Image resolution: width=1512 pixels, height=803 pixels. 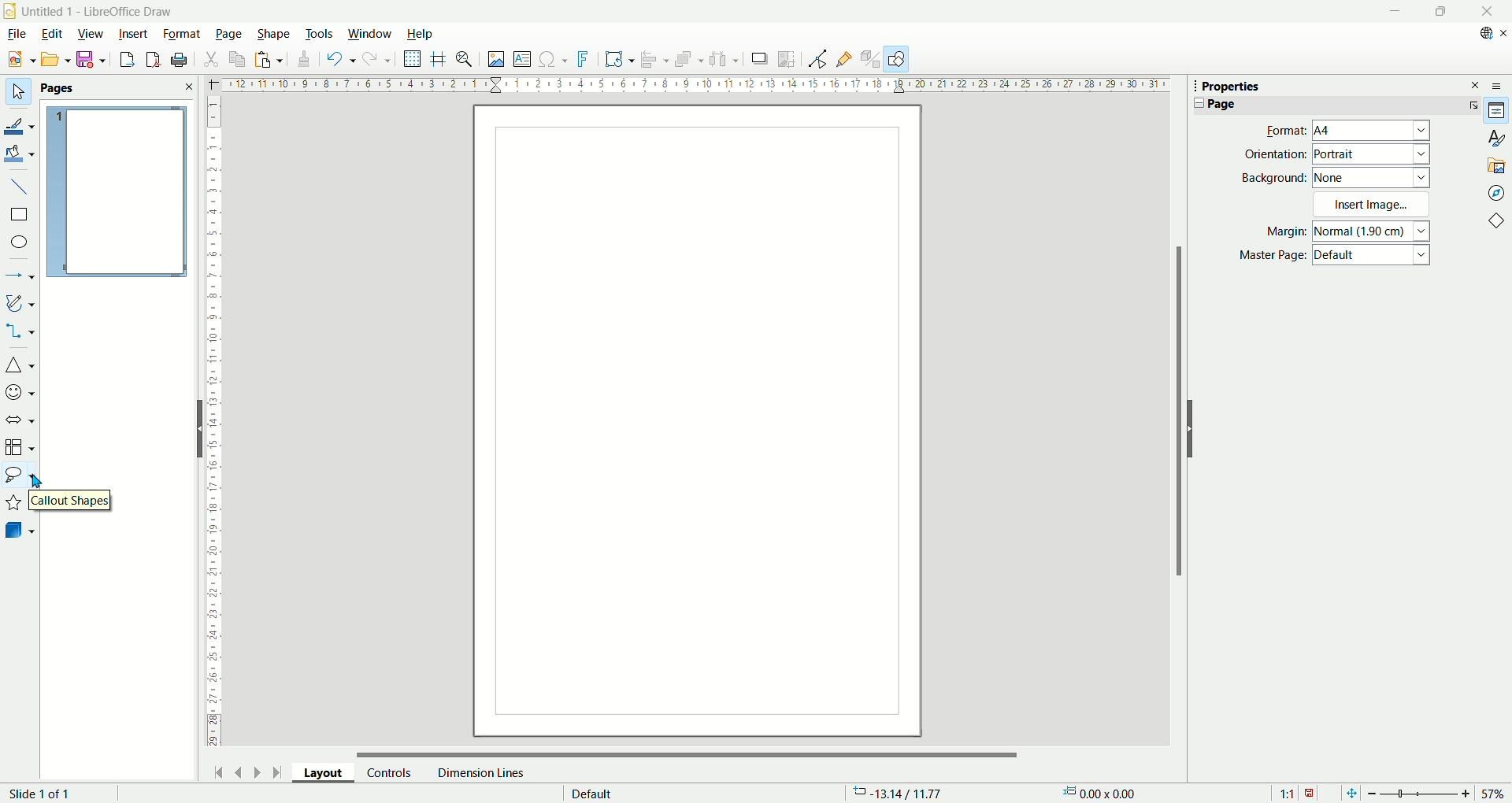 What do you see at coordinates (18, 60) in the screenshot?
I see `new` at bounding box center [18, 60].